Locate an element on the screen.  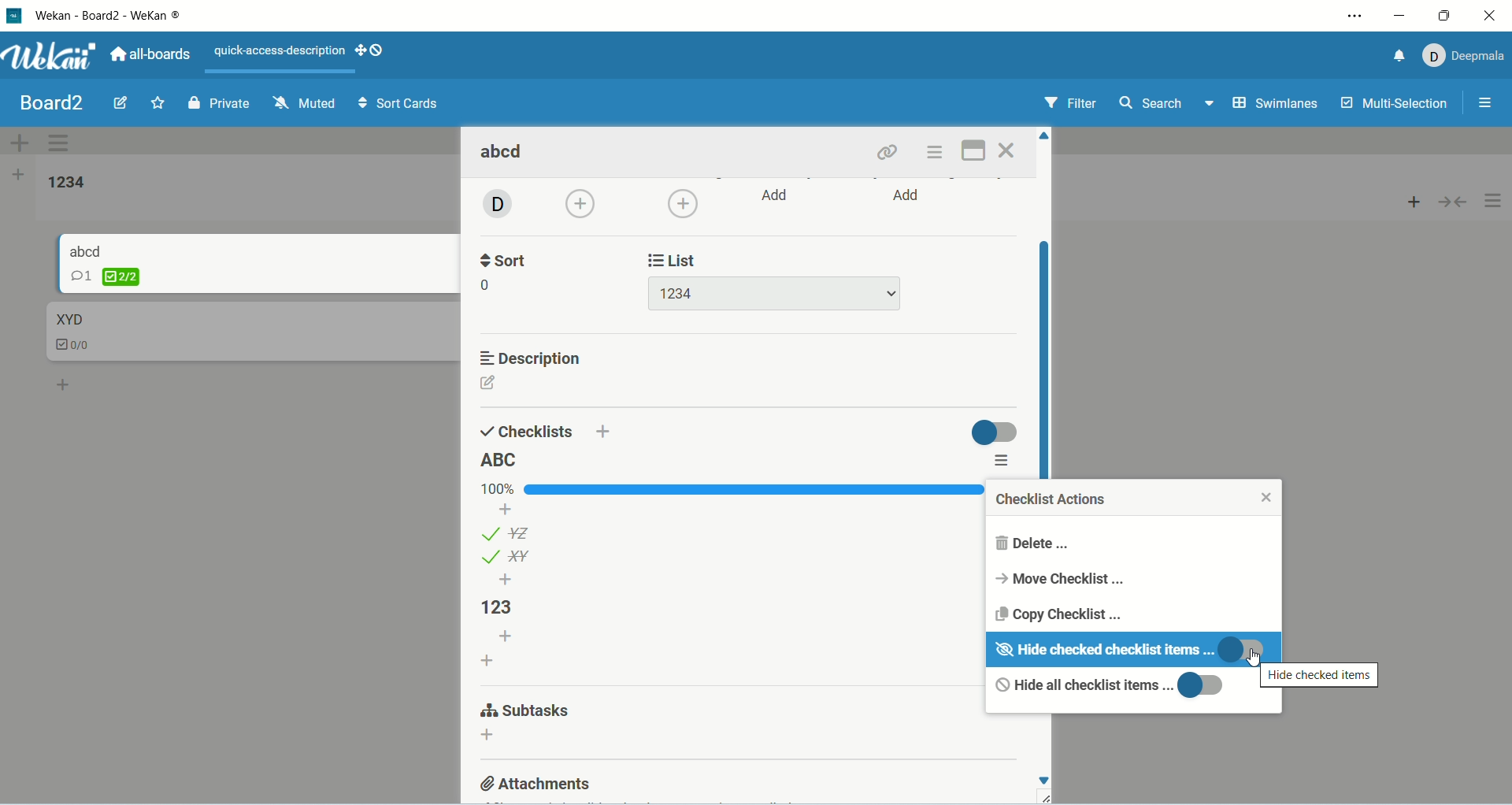
options is located at coordinates (999, 462).